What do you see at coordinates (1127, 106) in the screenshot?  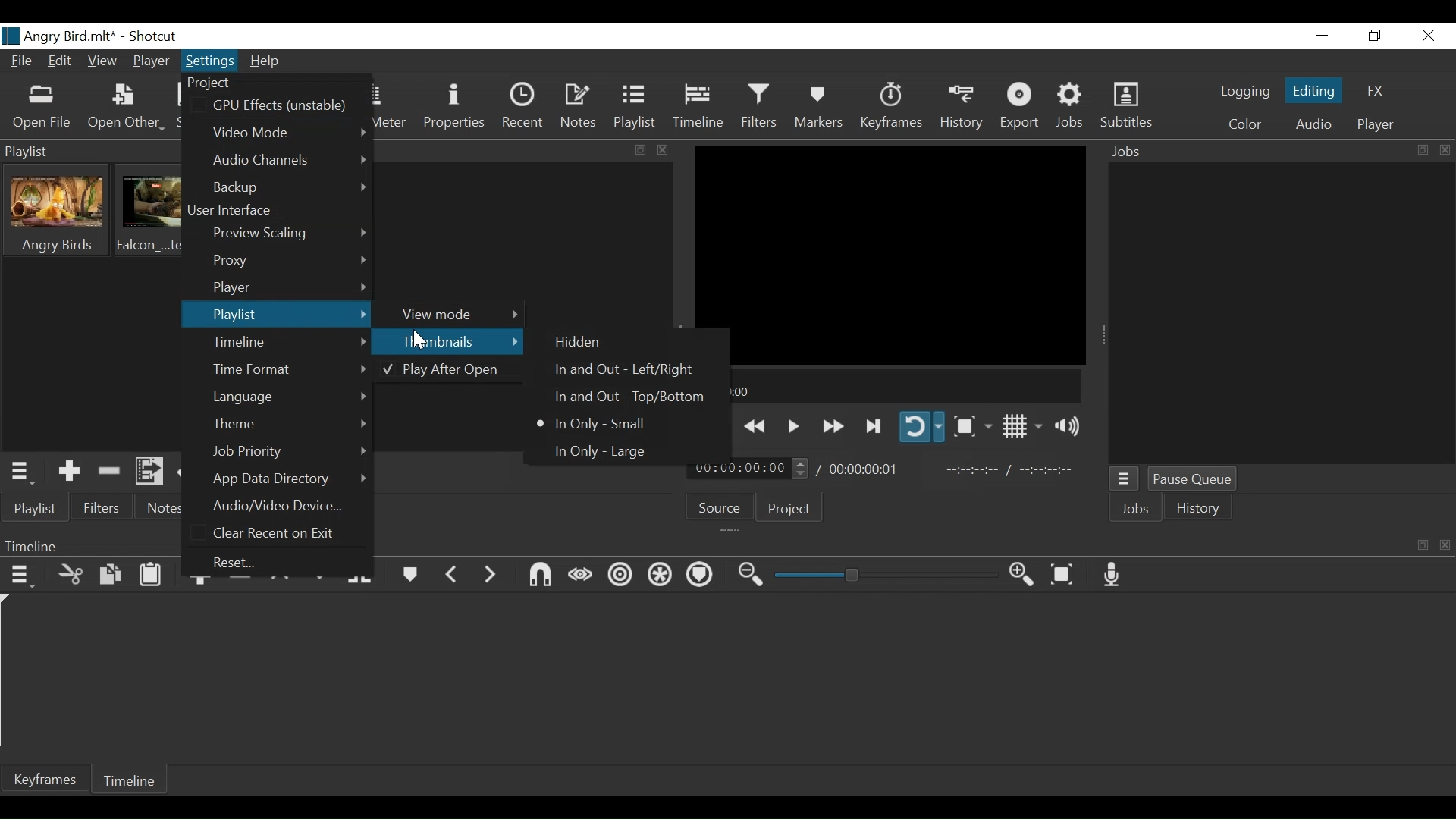 I see `Subtitles` at bounding box center [1127, 106].